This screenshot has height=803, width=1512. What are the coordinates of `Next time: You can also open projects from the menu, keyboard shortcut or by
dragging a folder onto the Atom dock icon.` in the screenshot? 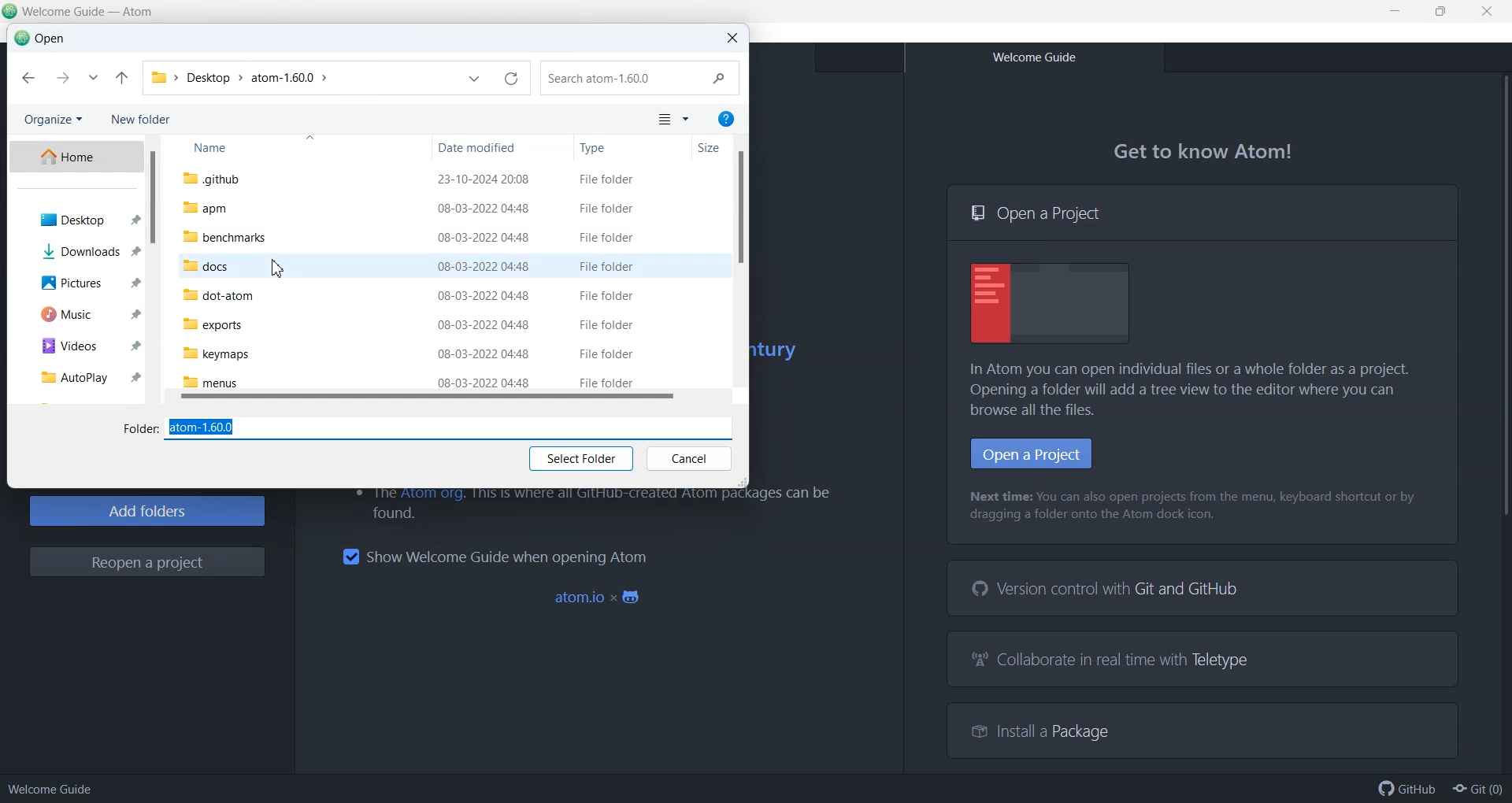 It's located at (1195, 507).